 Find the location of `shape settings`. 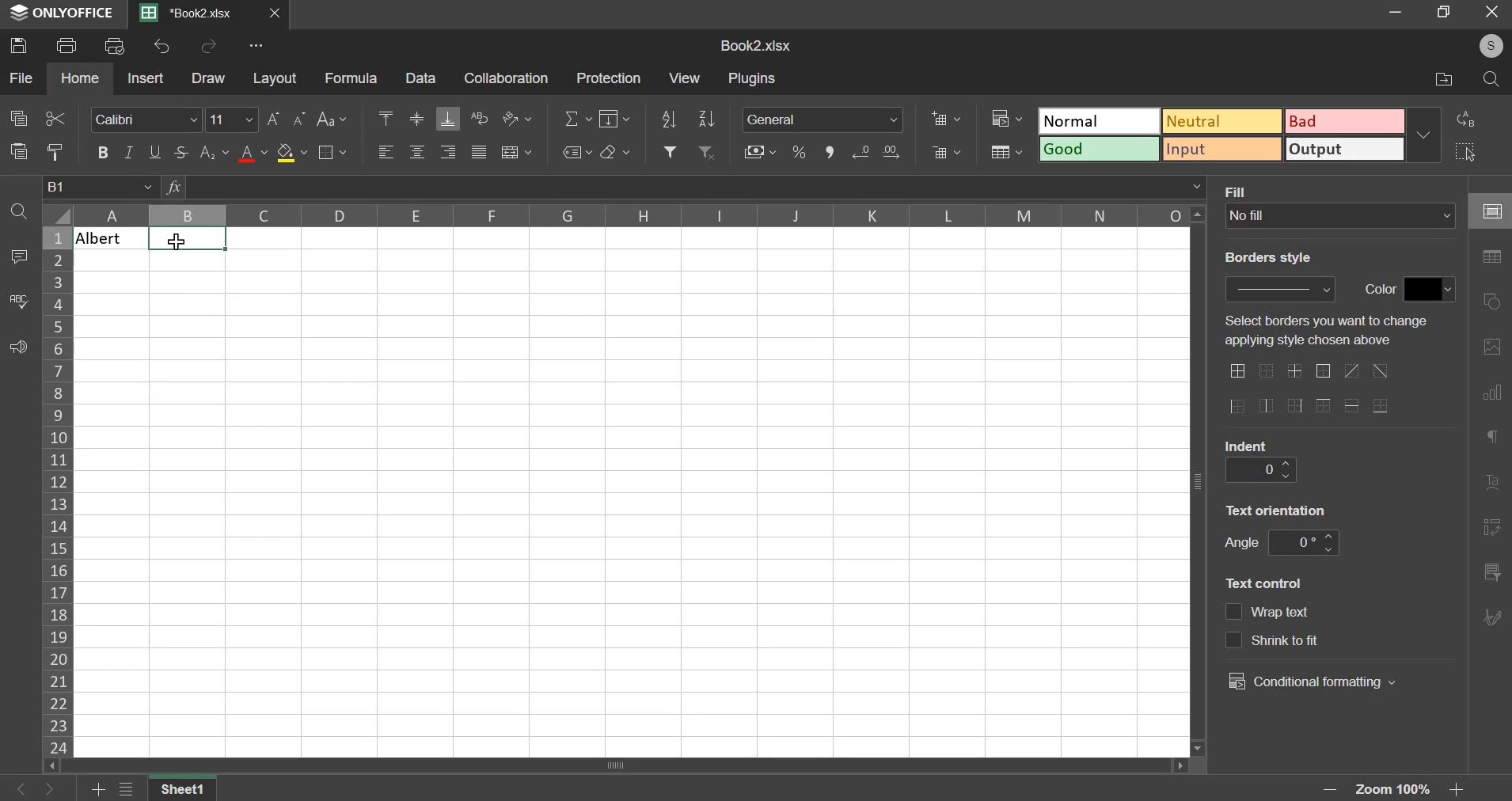

shape settings is located at coordinates (1493, 297).